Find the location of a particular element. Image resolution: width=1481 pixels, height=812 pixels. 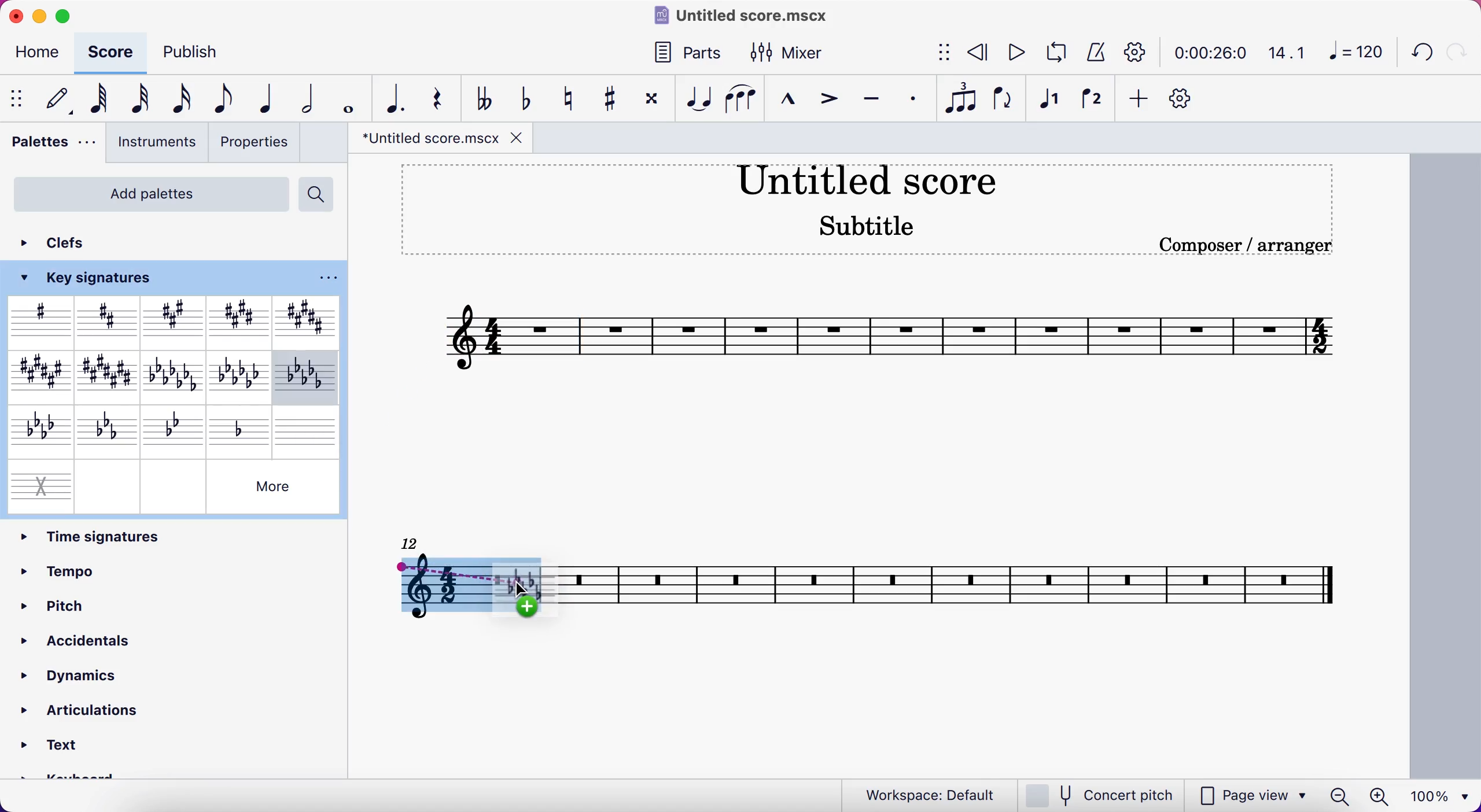

B minor is located at coordinates (306, 376).